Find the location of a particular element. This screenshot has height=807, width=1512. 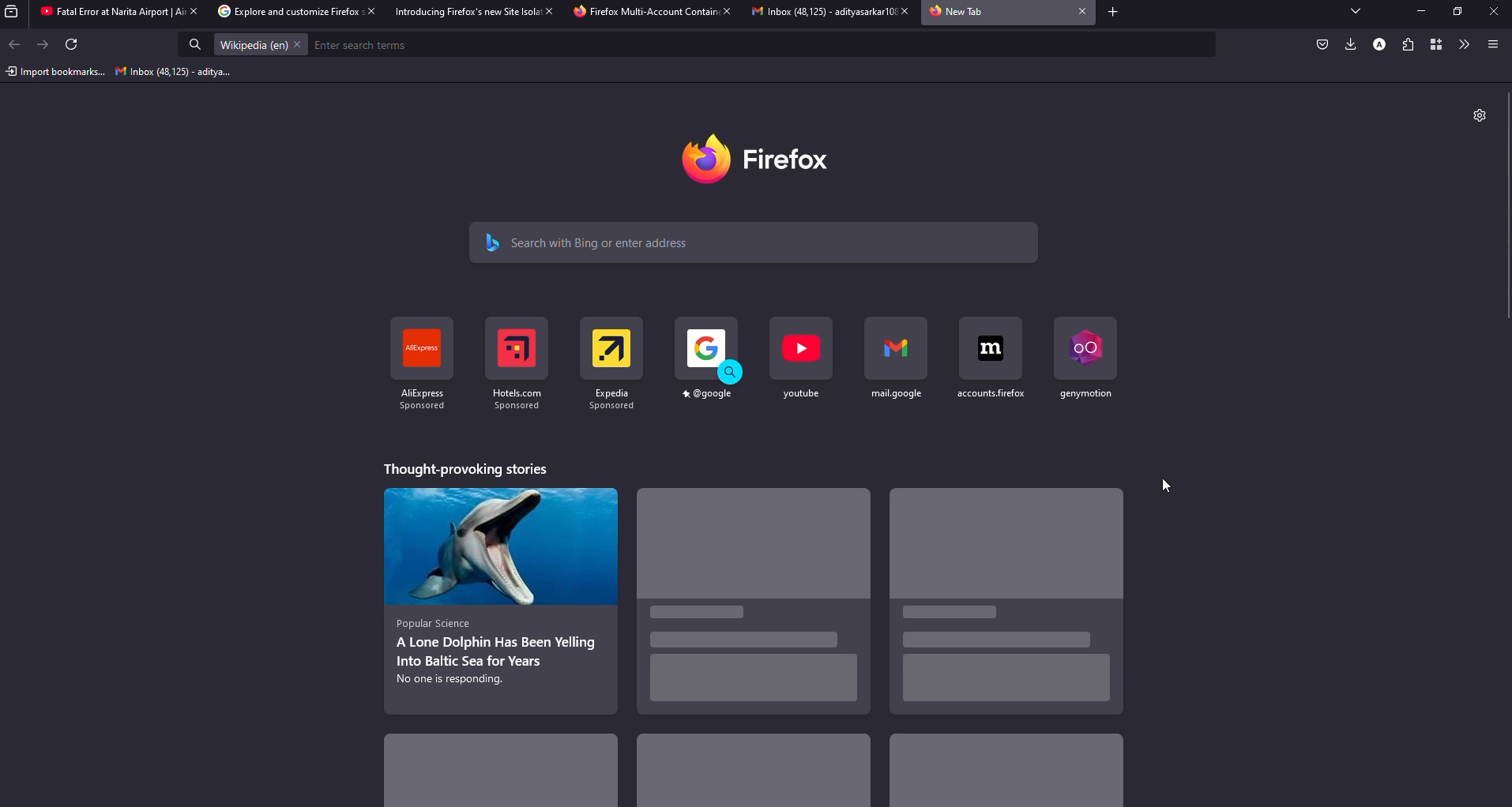

stories is located at coordinates (753, 774).